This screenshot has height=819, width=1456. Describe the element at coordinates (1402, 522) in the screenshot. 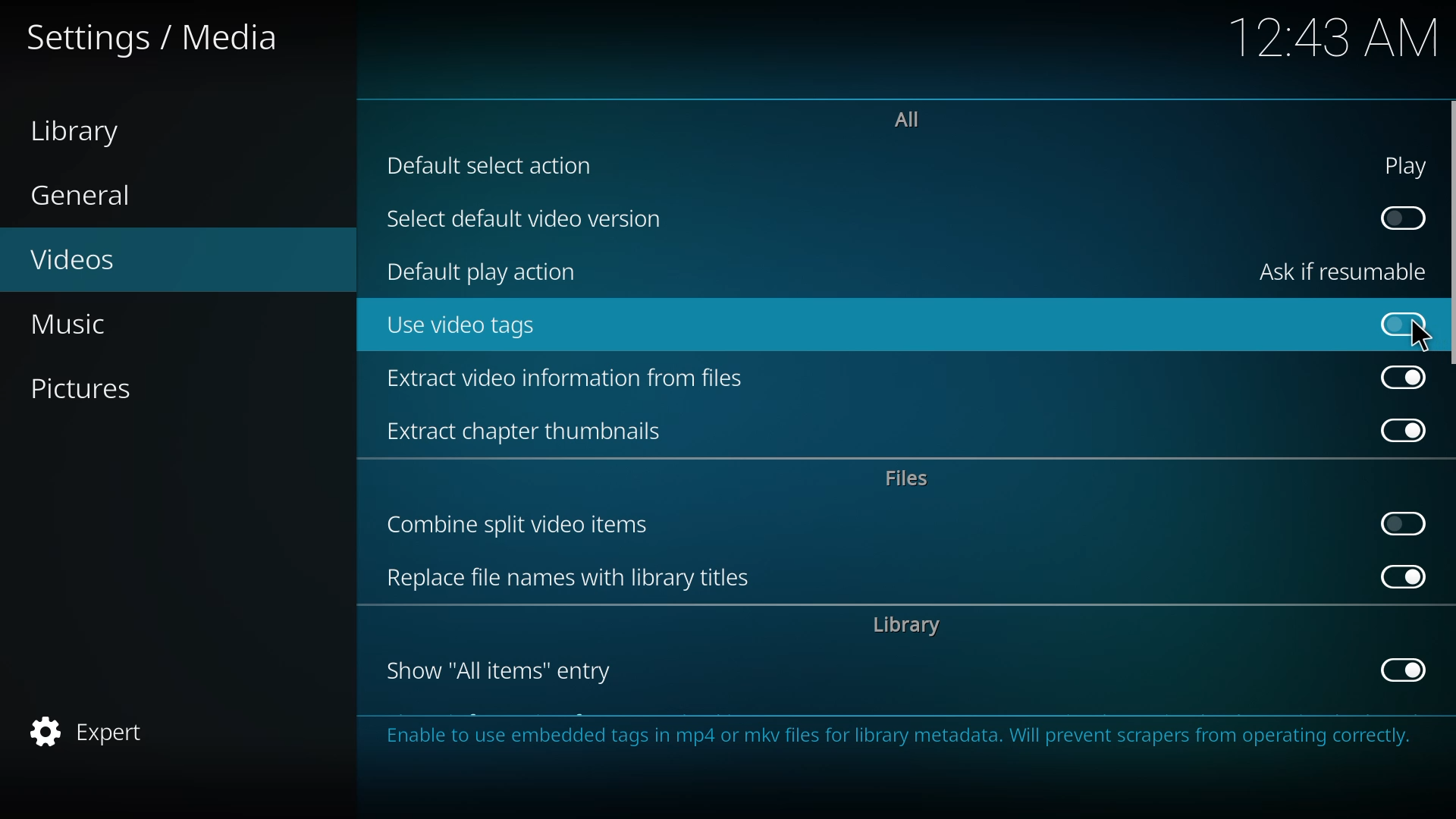

I see `click to enable` at that location.